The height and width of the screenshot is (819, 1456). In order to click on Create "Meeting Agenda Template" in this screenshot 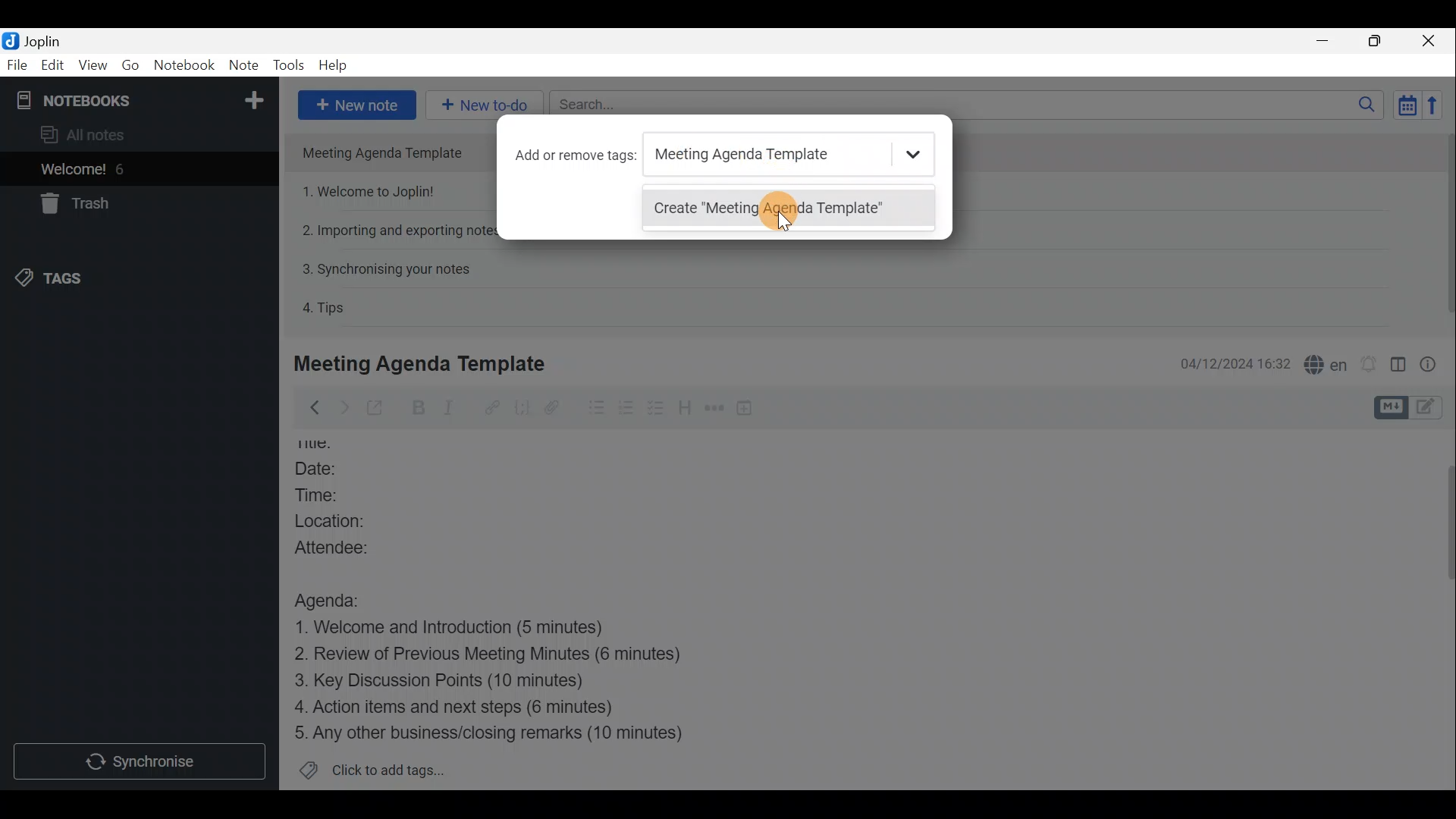, I will do `click(788, 211)`.